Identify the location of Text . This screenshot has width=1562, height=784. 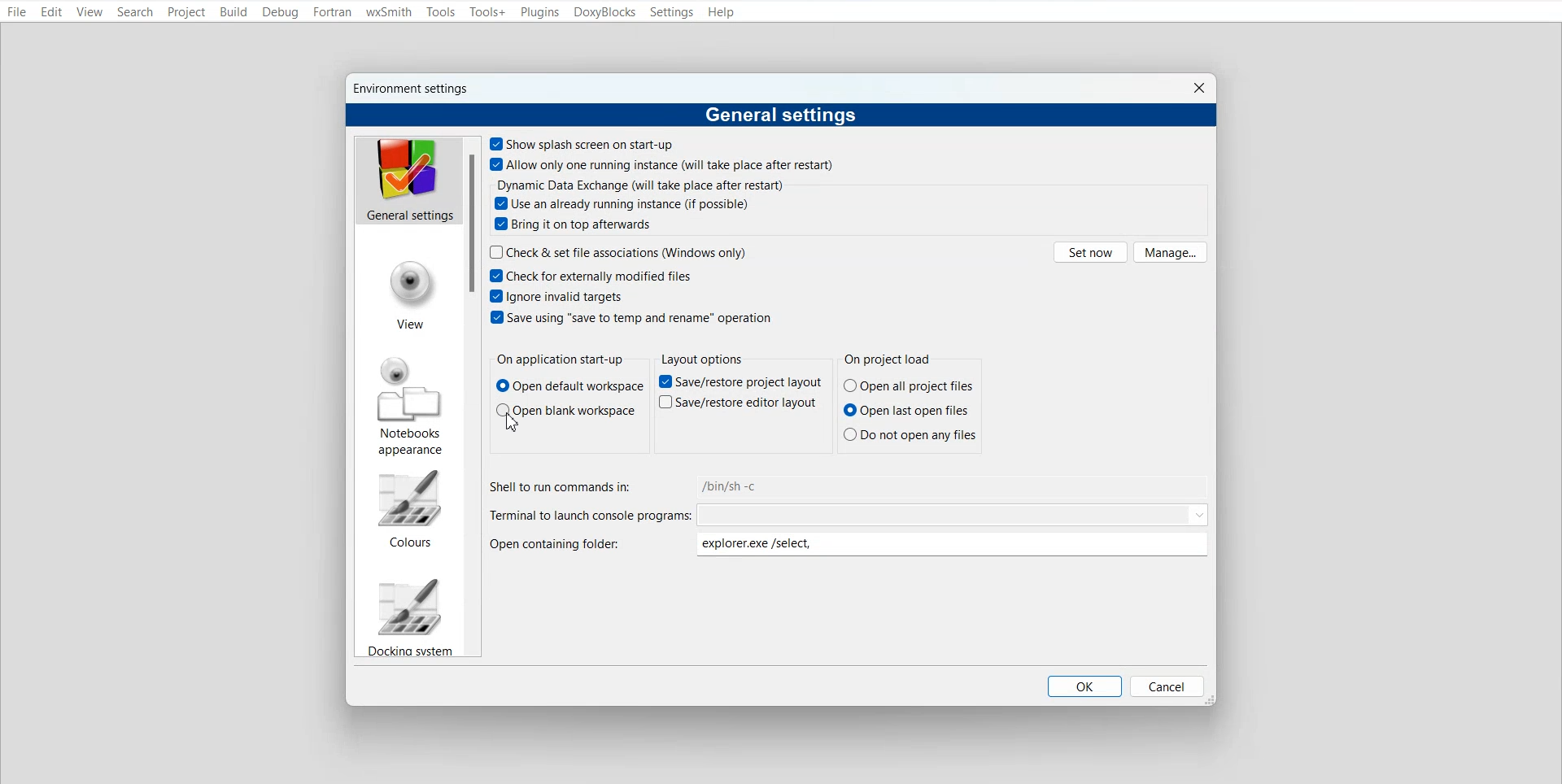
(641, 185).